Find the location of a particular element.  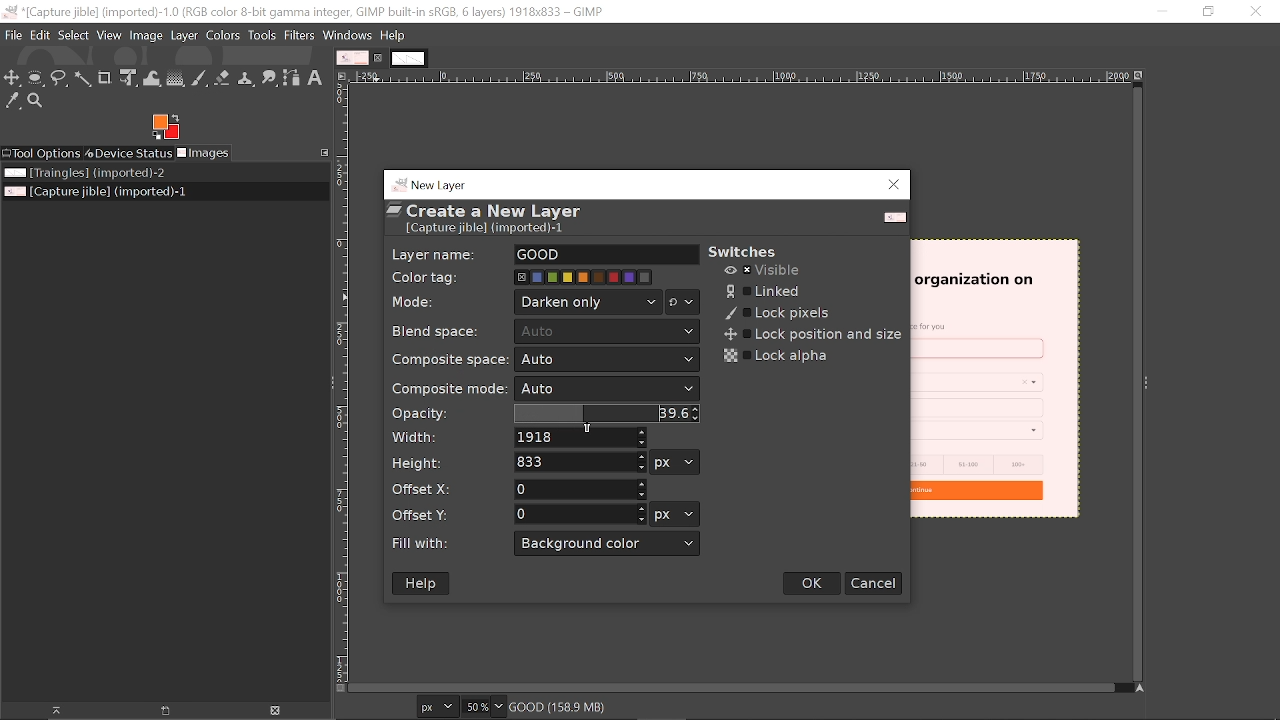

Composite mode: is located at coordinates (445, 388).